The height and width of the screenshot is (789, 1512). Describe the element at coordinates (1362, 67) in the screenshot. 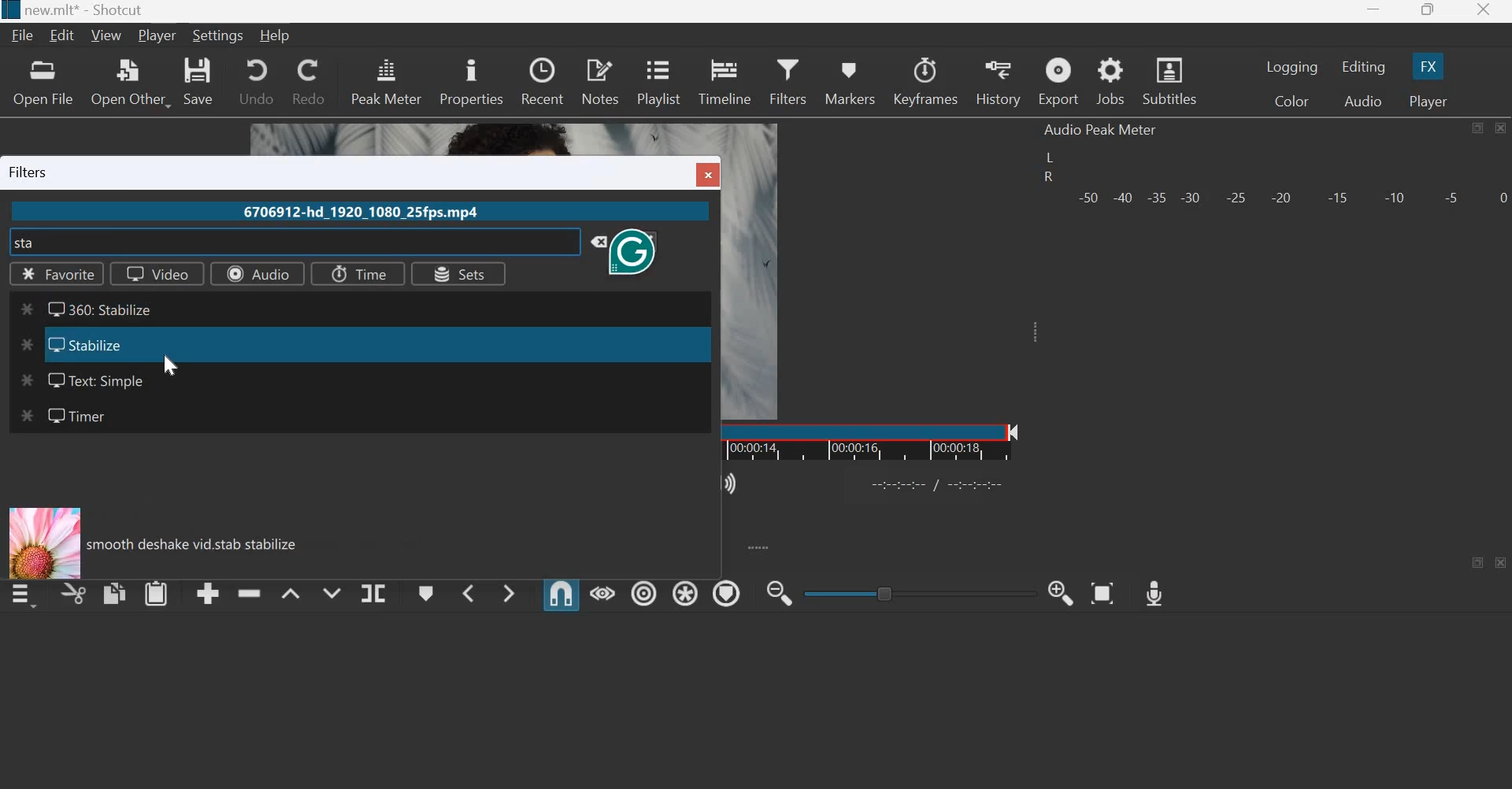

I see `Editing` at that location.